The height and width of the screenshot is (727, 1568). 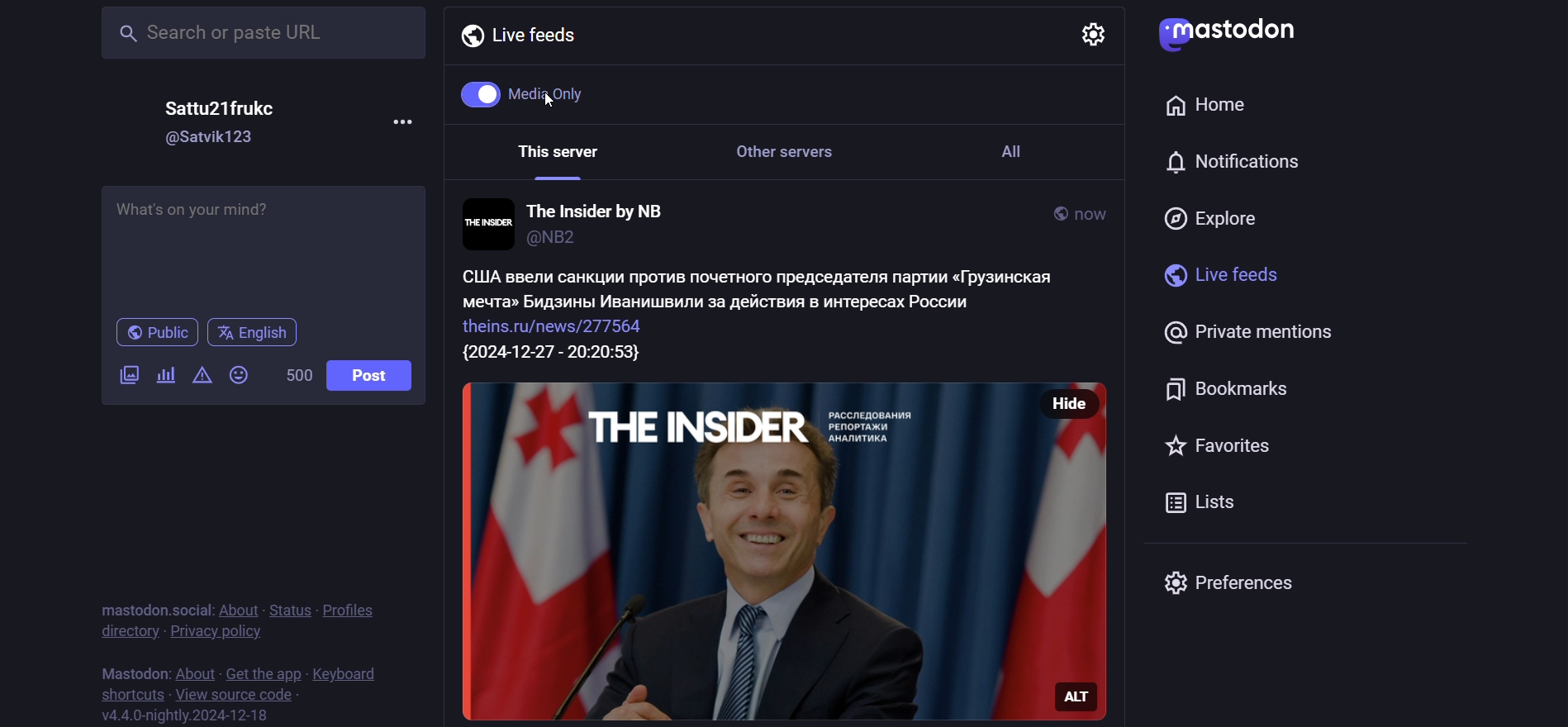 What do you see at coordinates (1235, 330) in the screenshot?
I see `private mention` at bounding box center [1235, 330].